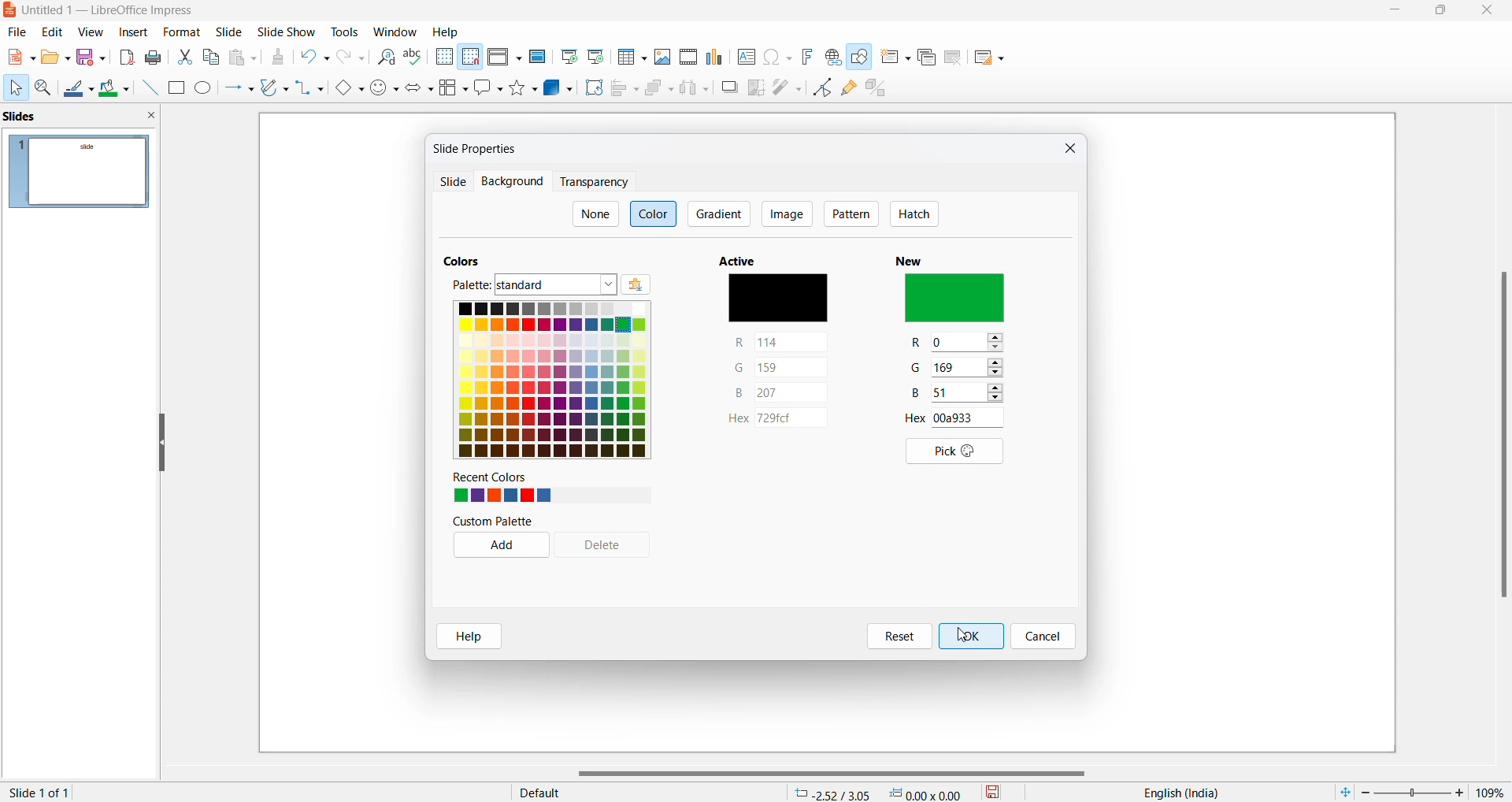  What do you see at coordinates (239, 89) in the screenshot?
I see `line and arrows ` at bounding box center [239, 89].